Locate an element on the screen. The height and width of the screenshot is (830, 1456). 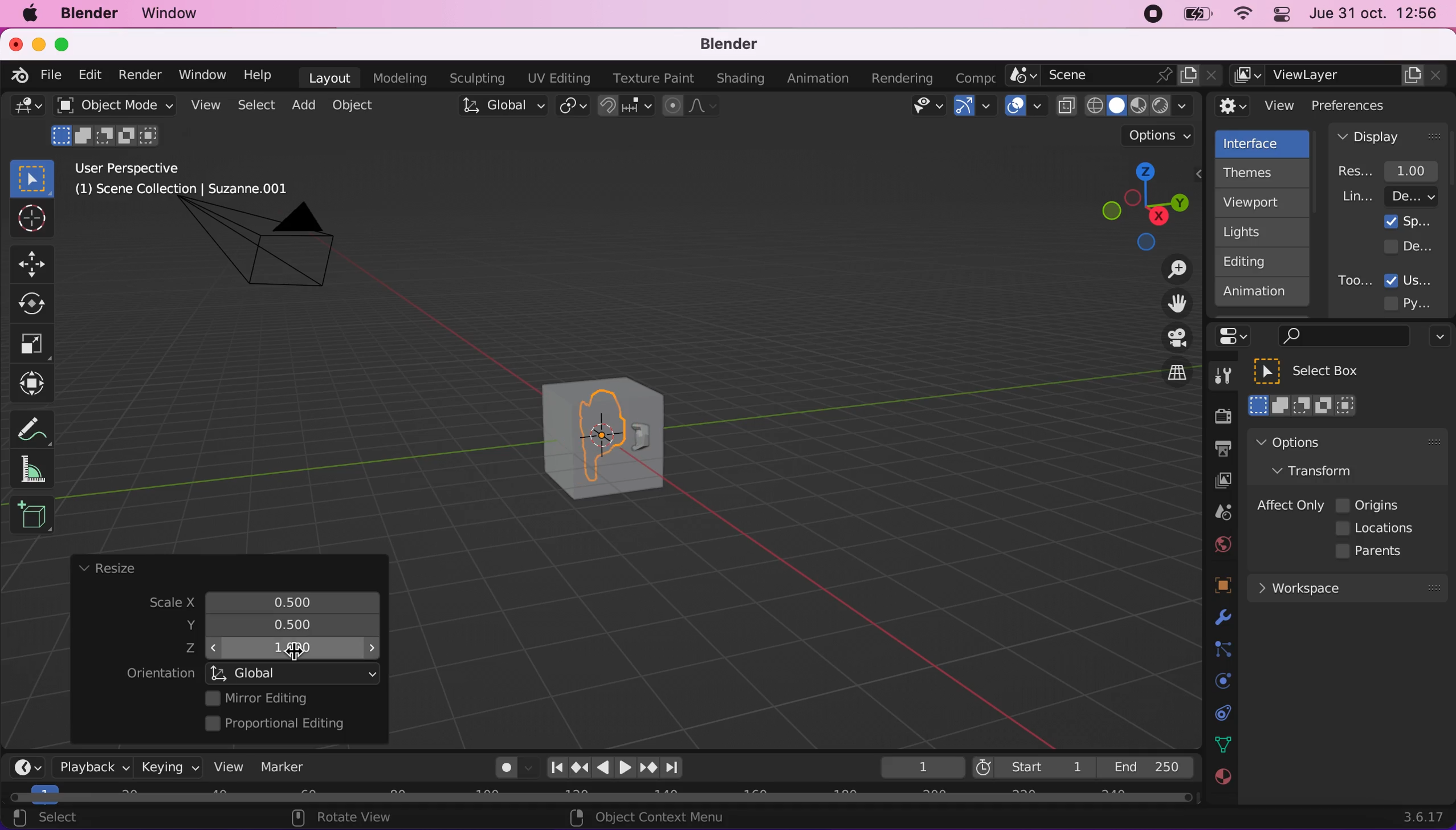
mirror editing is located at coordinates (289, 698).